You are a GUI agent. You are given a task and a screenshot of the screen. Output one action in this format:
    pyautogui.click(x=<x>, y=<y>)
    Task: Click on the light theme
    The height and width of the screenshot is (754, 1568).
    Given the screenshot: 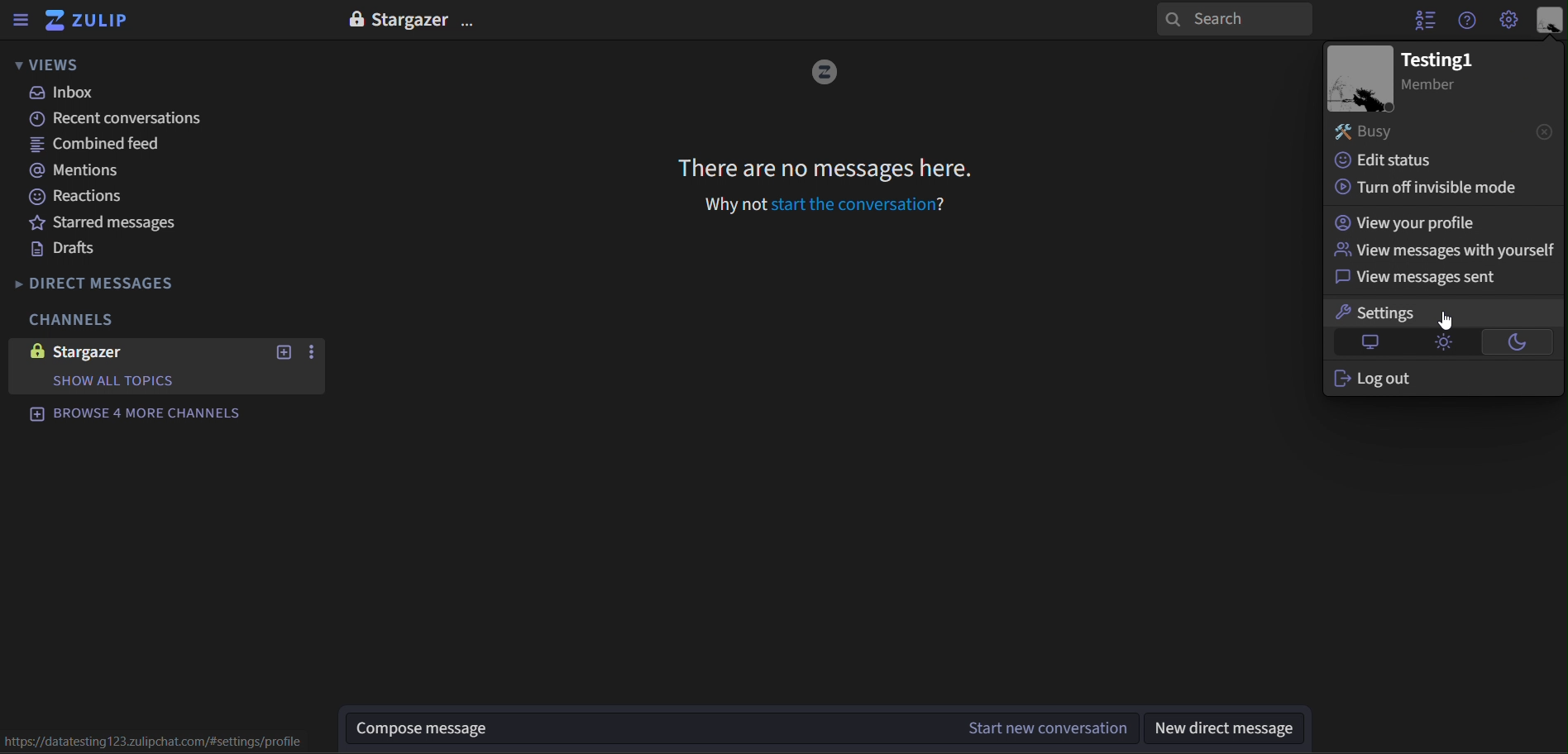 What is the action you would take?
    pyautogui.click(x=1442, y=342)
    